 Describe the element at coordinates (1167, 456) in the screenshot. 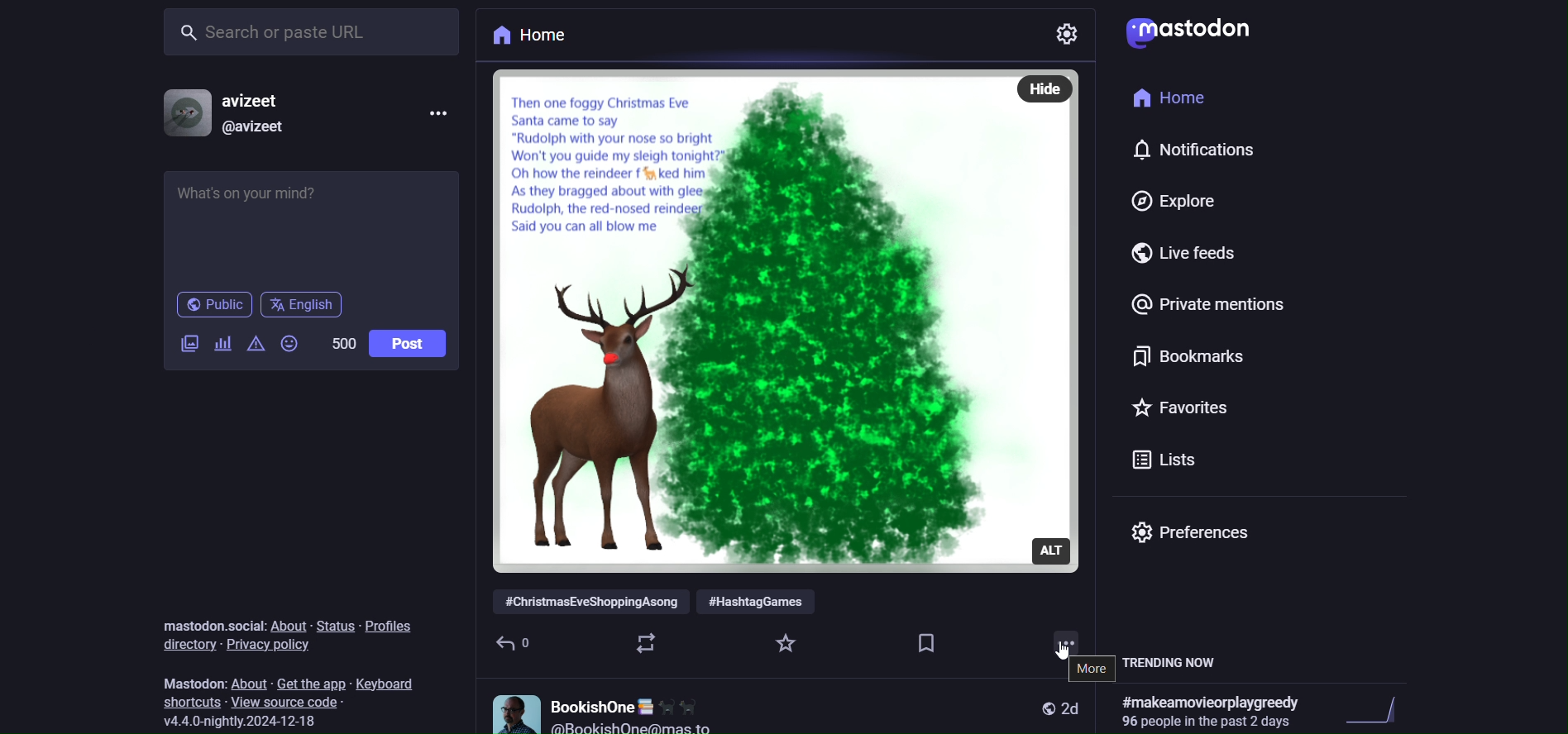

I see `lists` at that location.